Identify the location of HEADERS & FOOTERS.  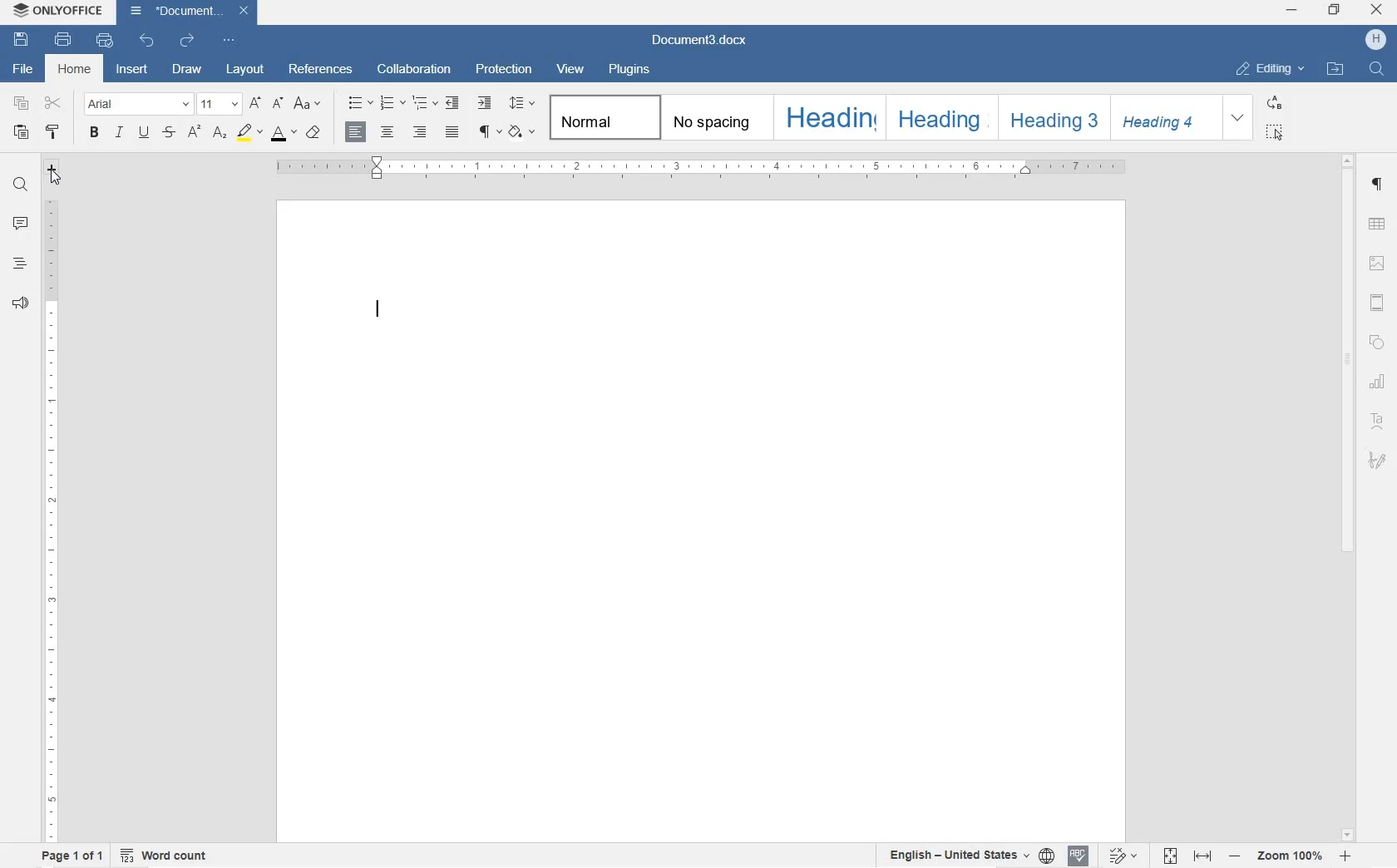
(1378, 302).